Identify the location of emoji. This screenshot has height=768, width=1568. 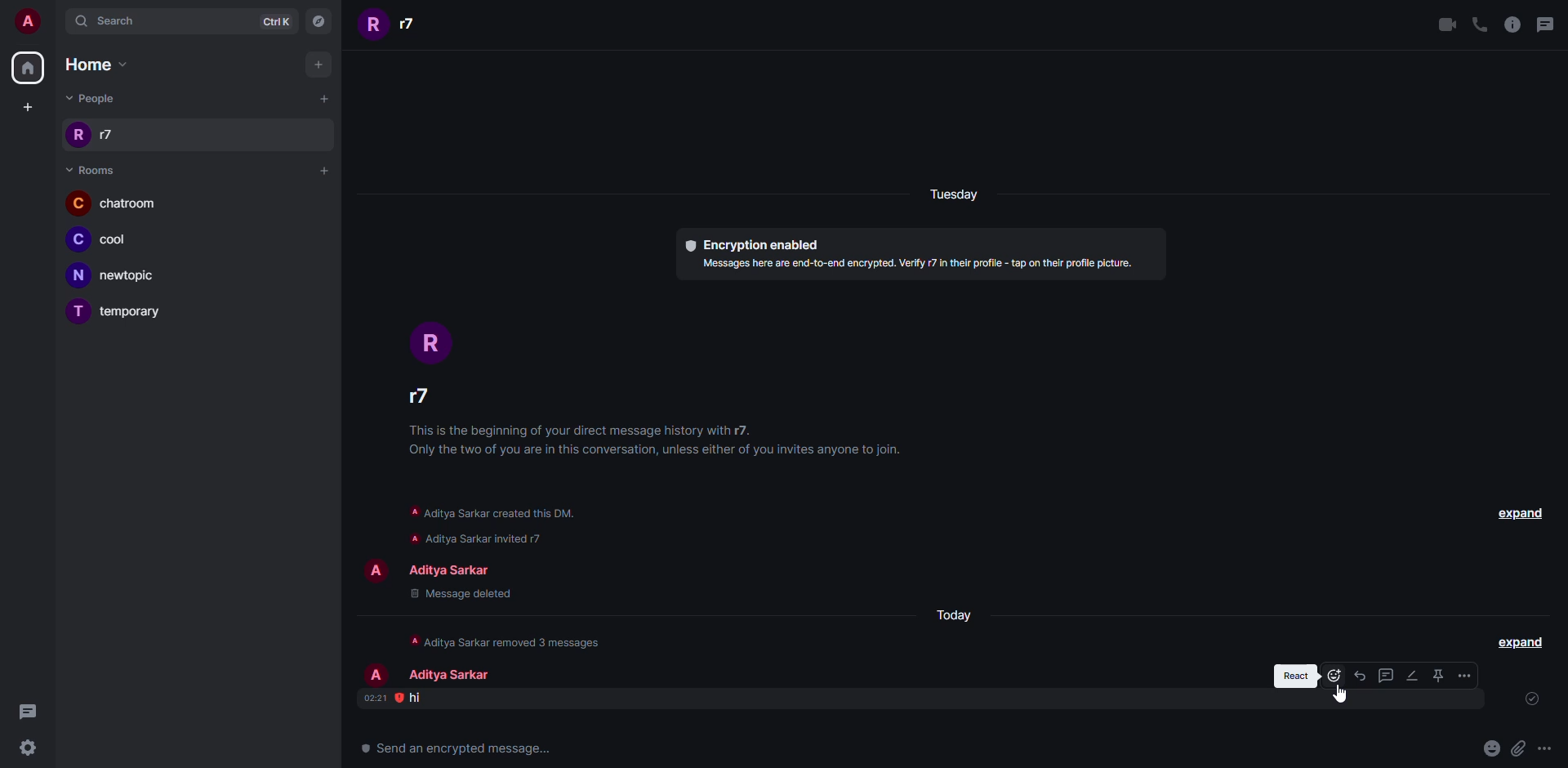
(1490, 748).